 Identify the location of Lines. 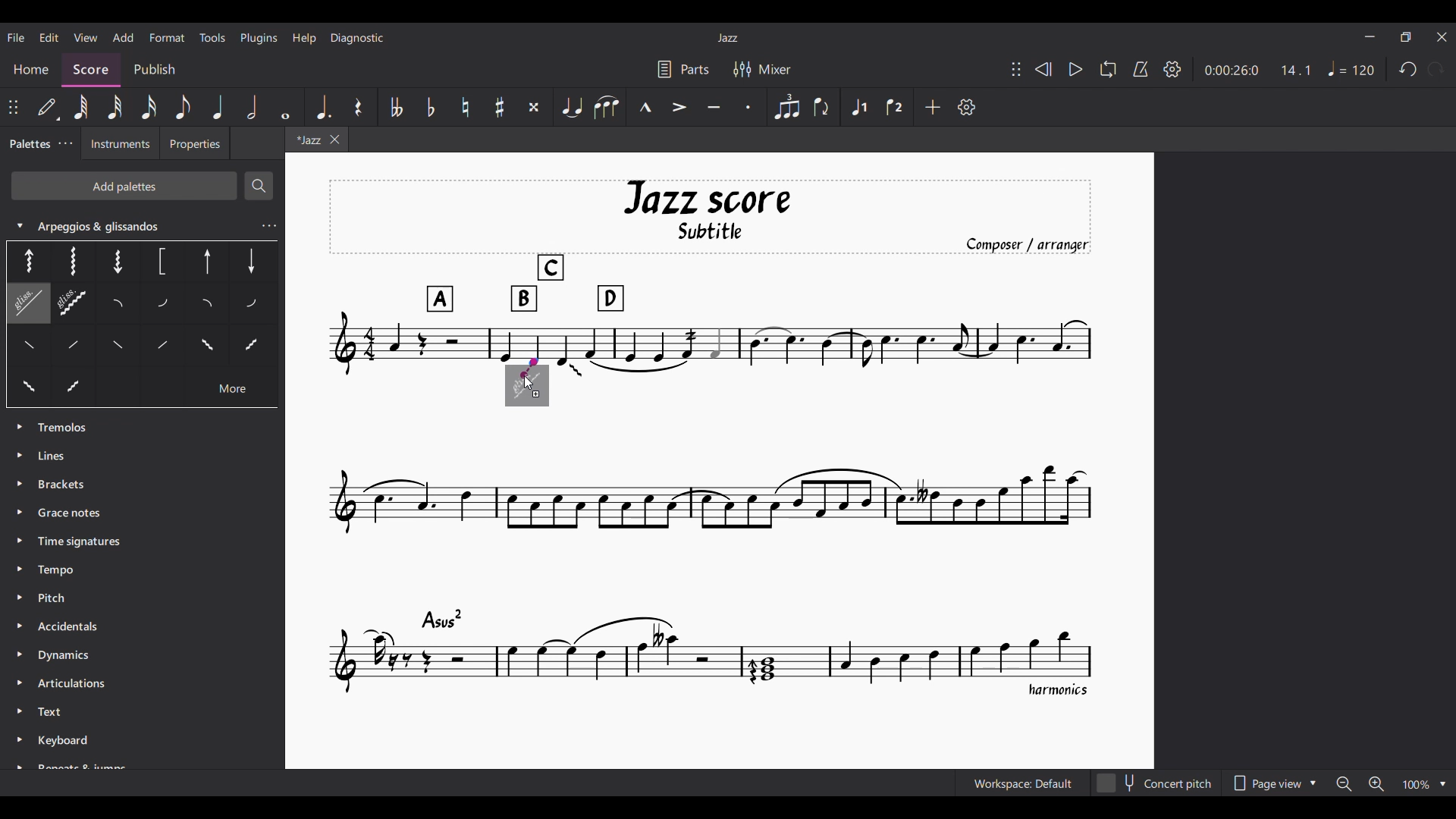
(65, 454).